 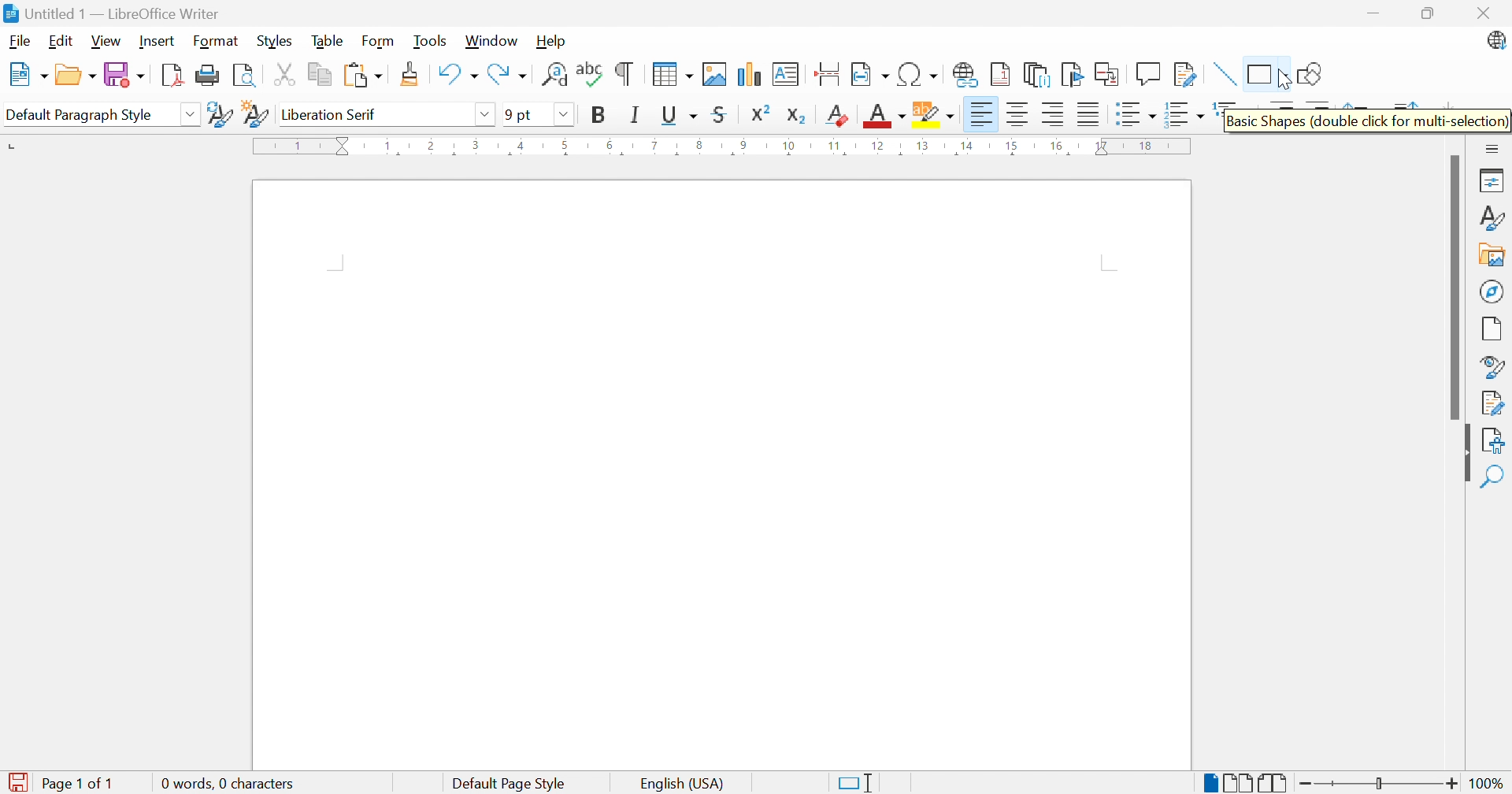 What do you see at coordinates (827, 74) in the screenshot?
I see `Insert page break` at bounding box center [827, 74].